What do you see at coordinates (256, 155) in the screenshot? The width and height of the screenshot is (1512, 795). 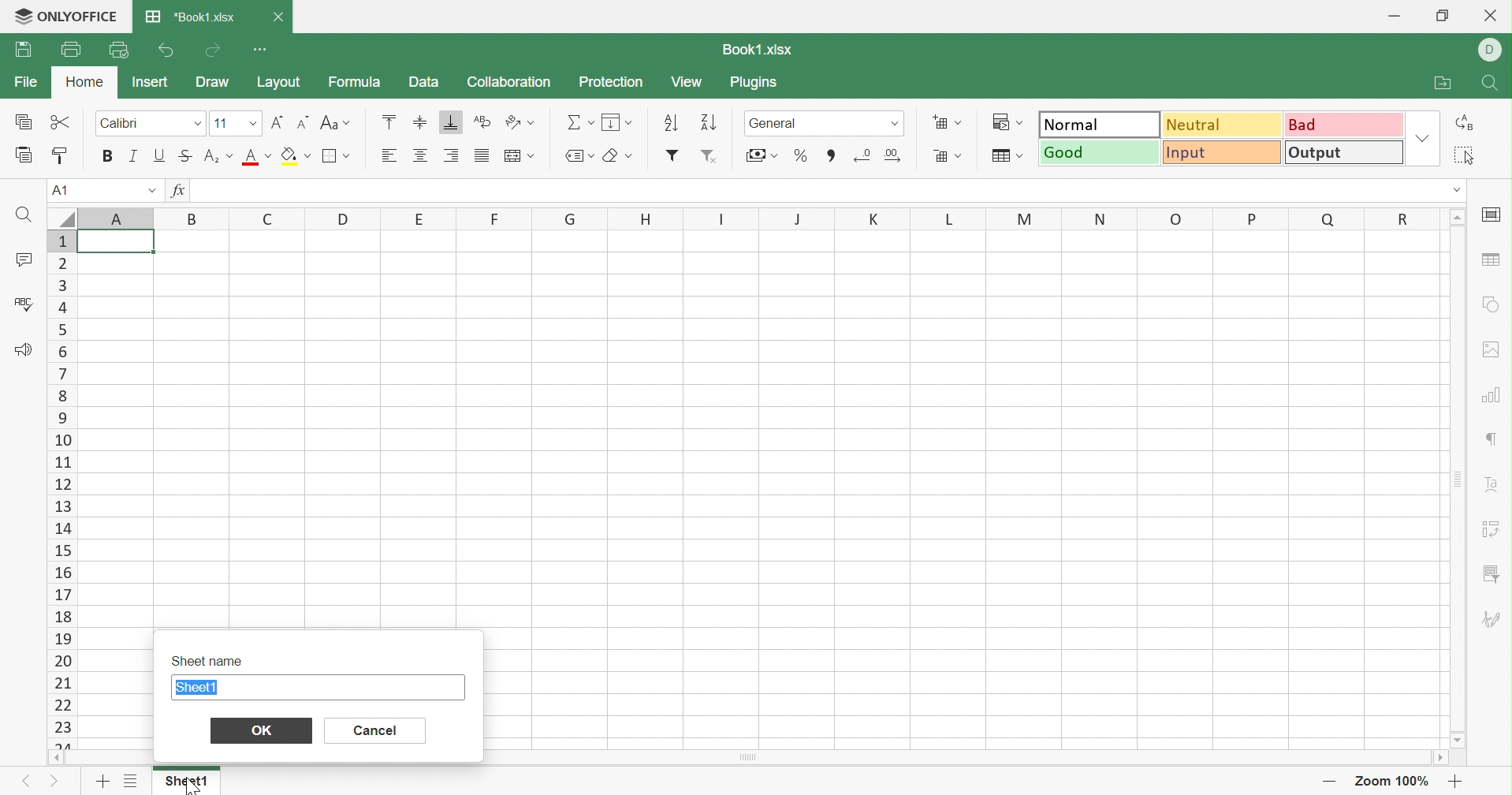 I see `Font color` at bounding box center [256, 155].